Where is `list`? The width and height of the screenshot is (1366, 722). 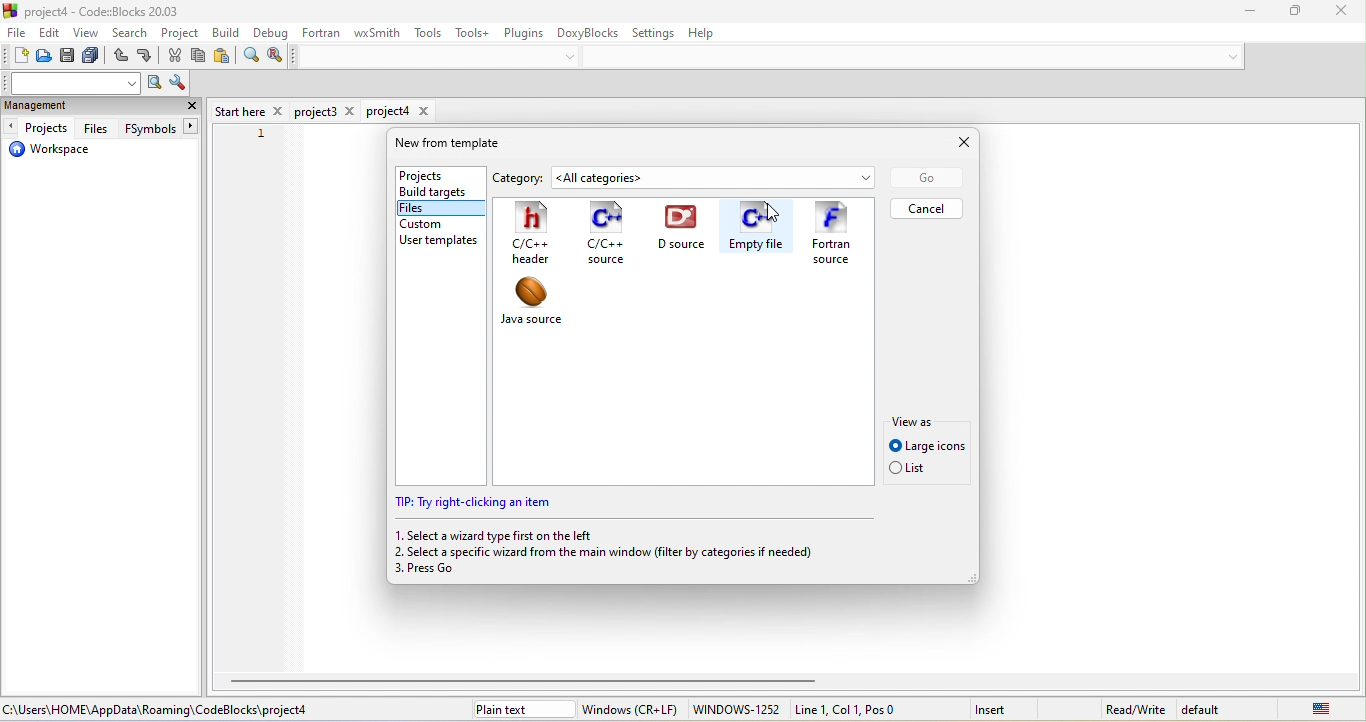
list is located at coordinates (914, 470).